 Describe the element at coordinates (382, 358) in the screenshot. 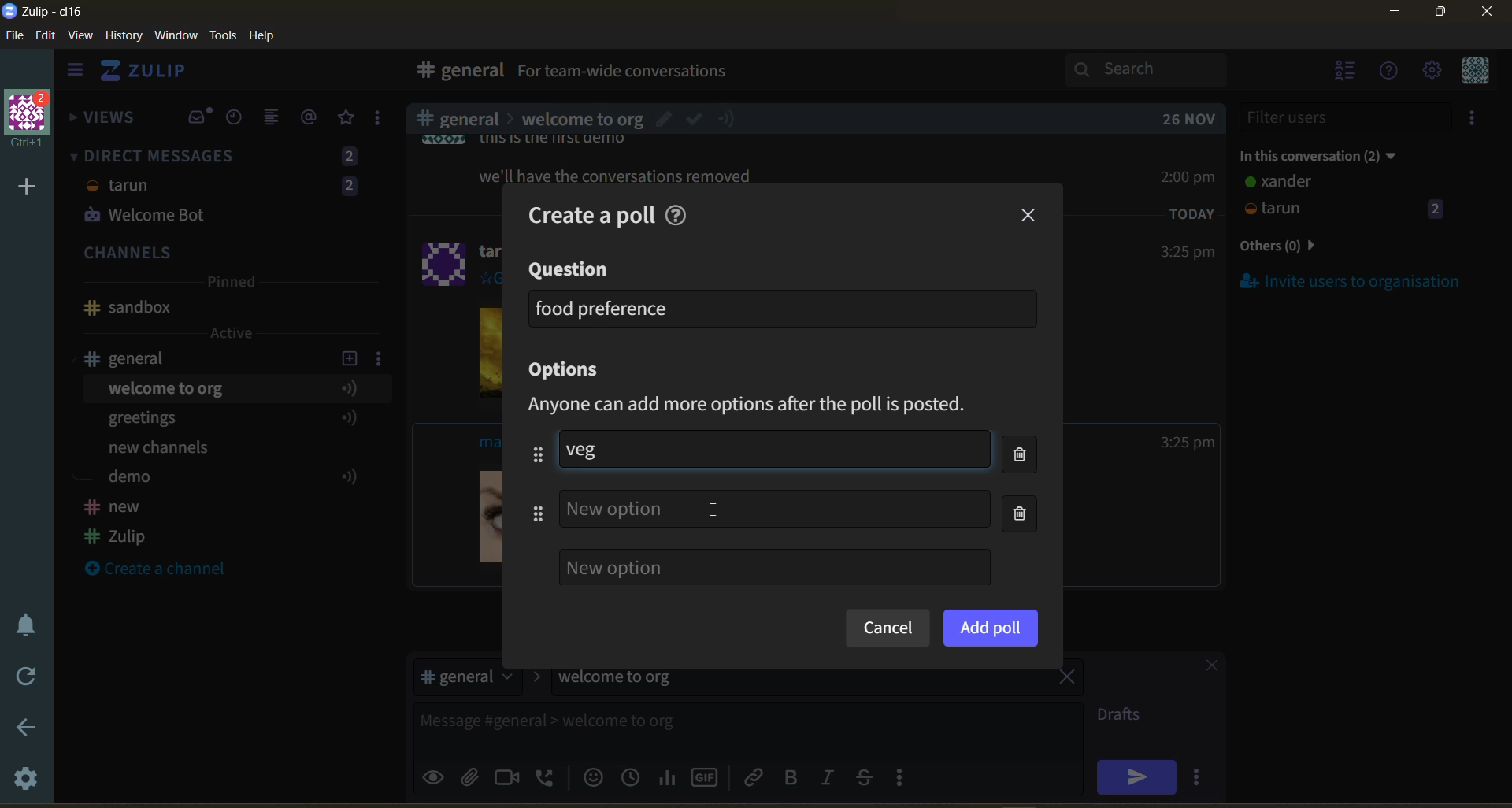

I see `channel settings` at that location.